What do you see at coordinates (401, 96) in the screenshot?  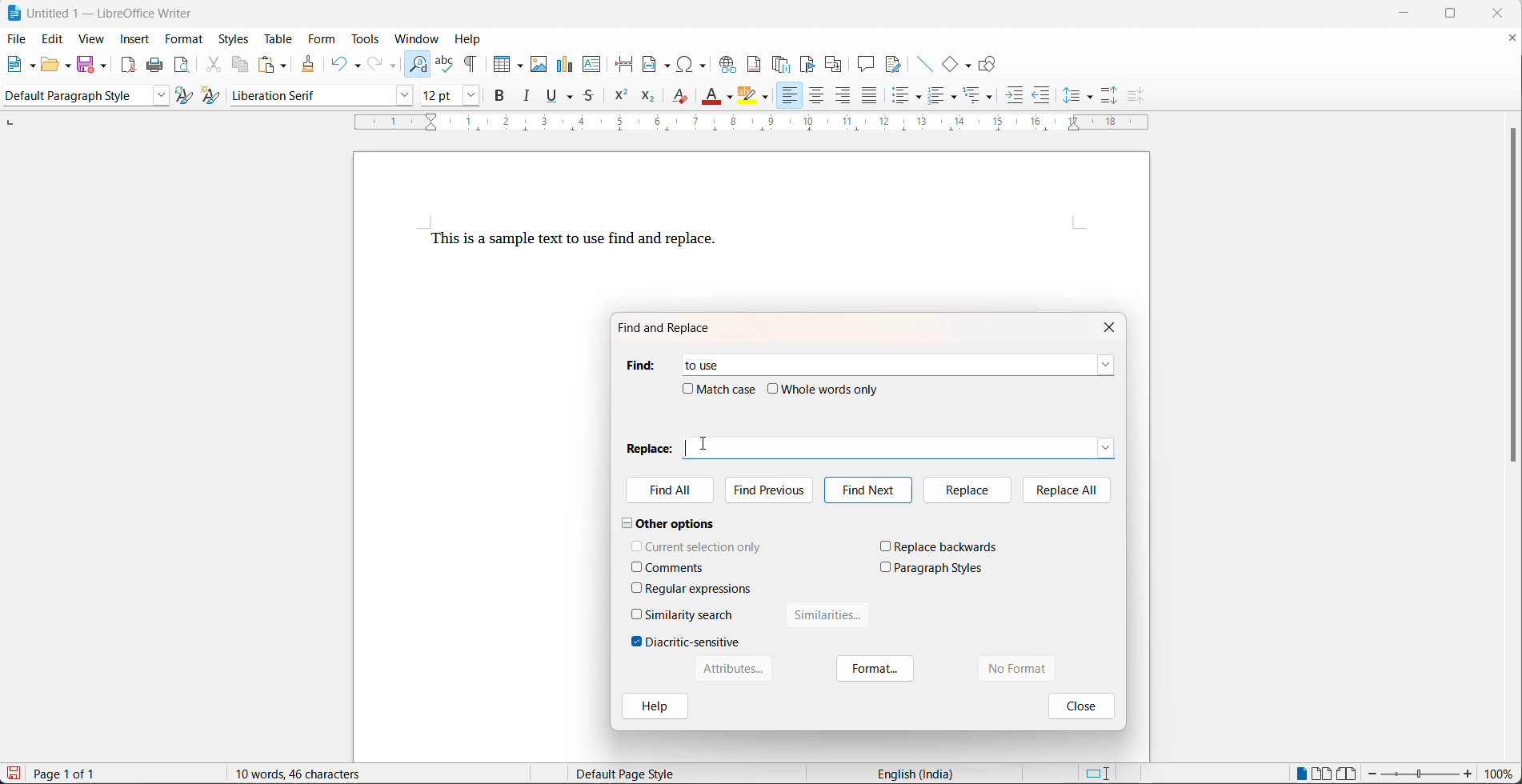 I see `font name options` at bounding box center [401, 96].